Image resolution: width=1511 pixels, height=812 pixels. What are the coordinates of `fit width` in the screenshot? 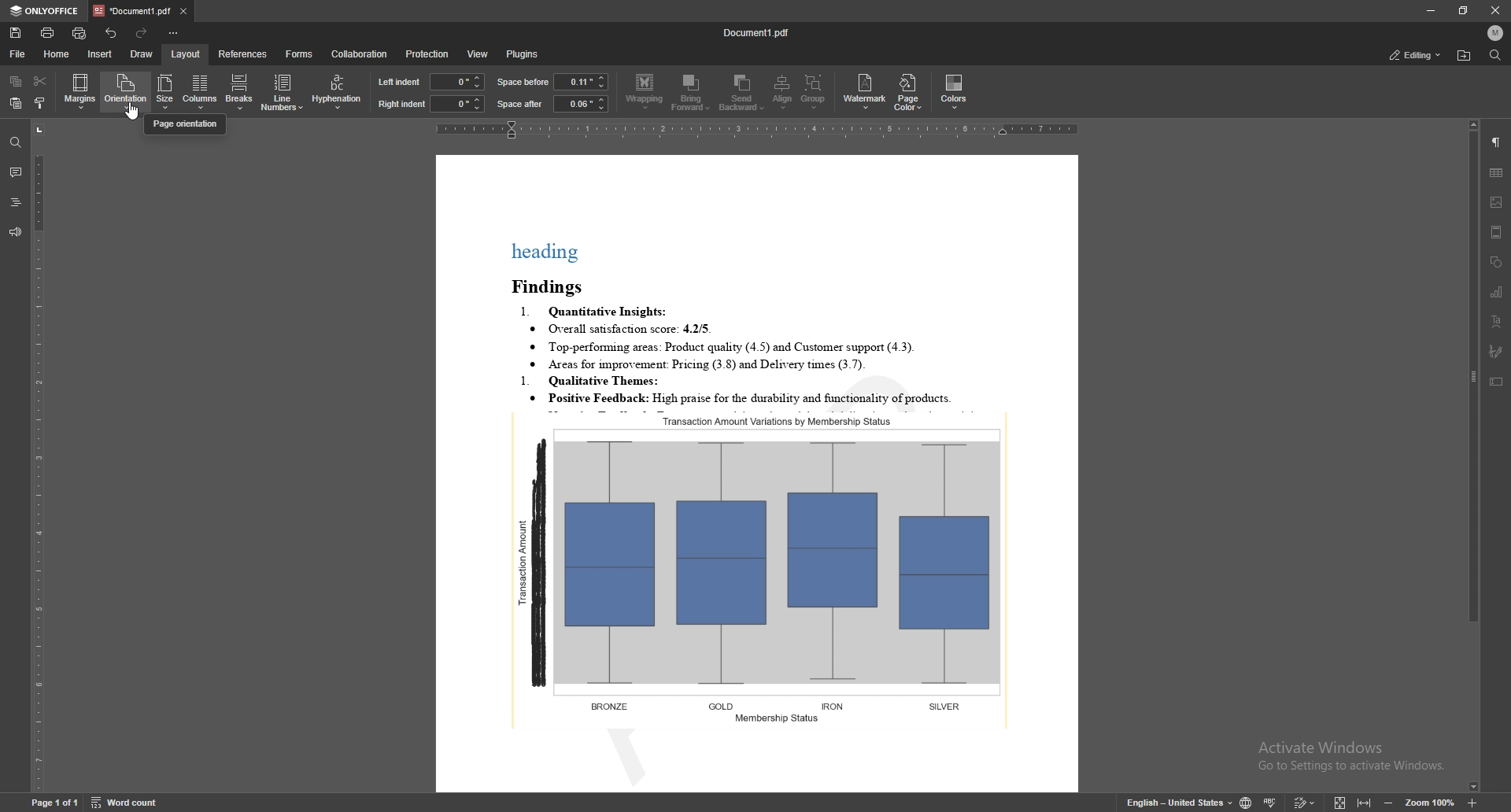 It's located at (1365, 800).